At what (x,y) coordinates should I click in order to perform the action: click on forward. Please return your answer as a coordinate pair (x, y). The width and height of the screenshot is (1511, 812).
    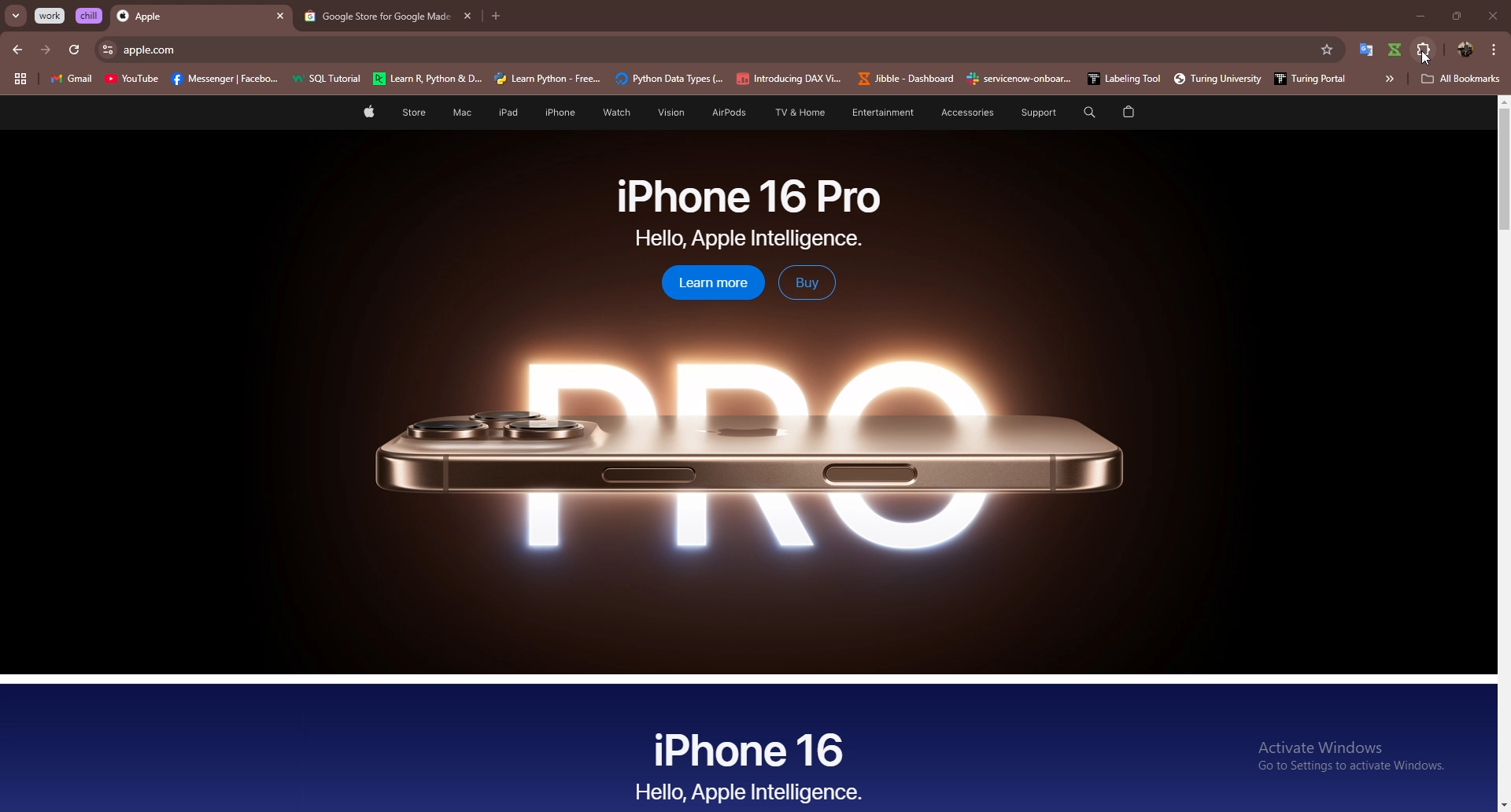
    Looking at the image, I should click on (46, 50).